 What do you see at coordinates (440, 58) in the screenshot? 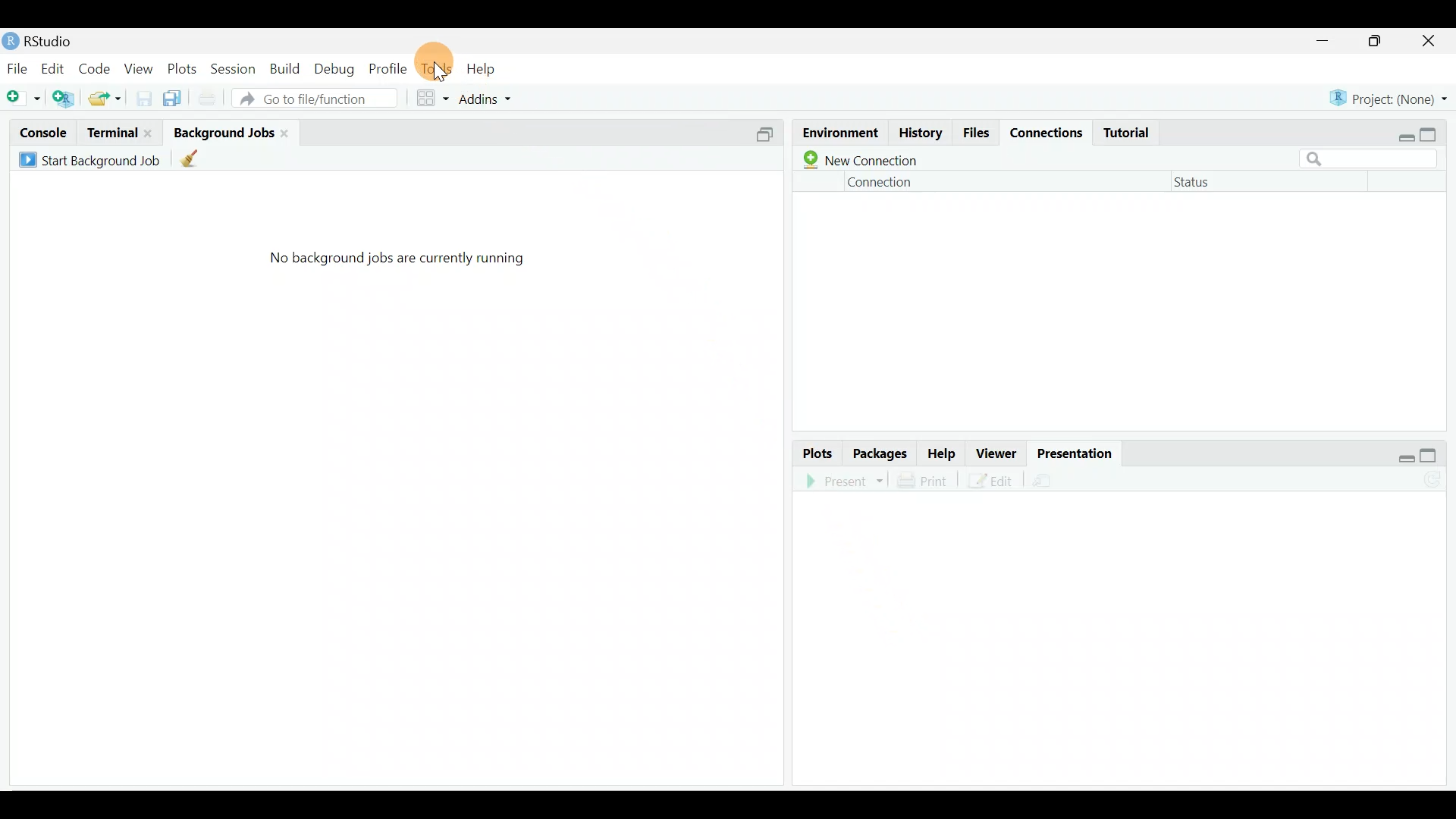
I see `Cursor` at bounding box center [440, 58].